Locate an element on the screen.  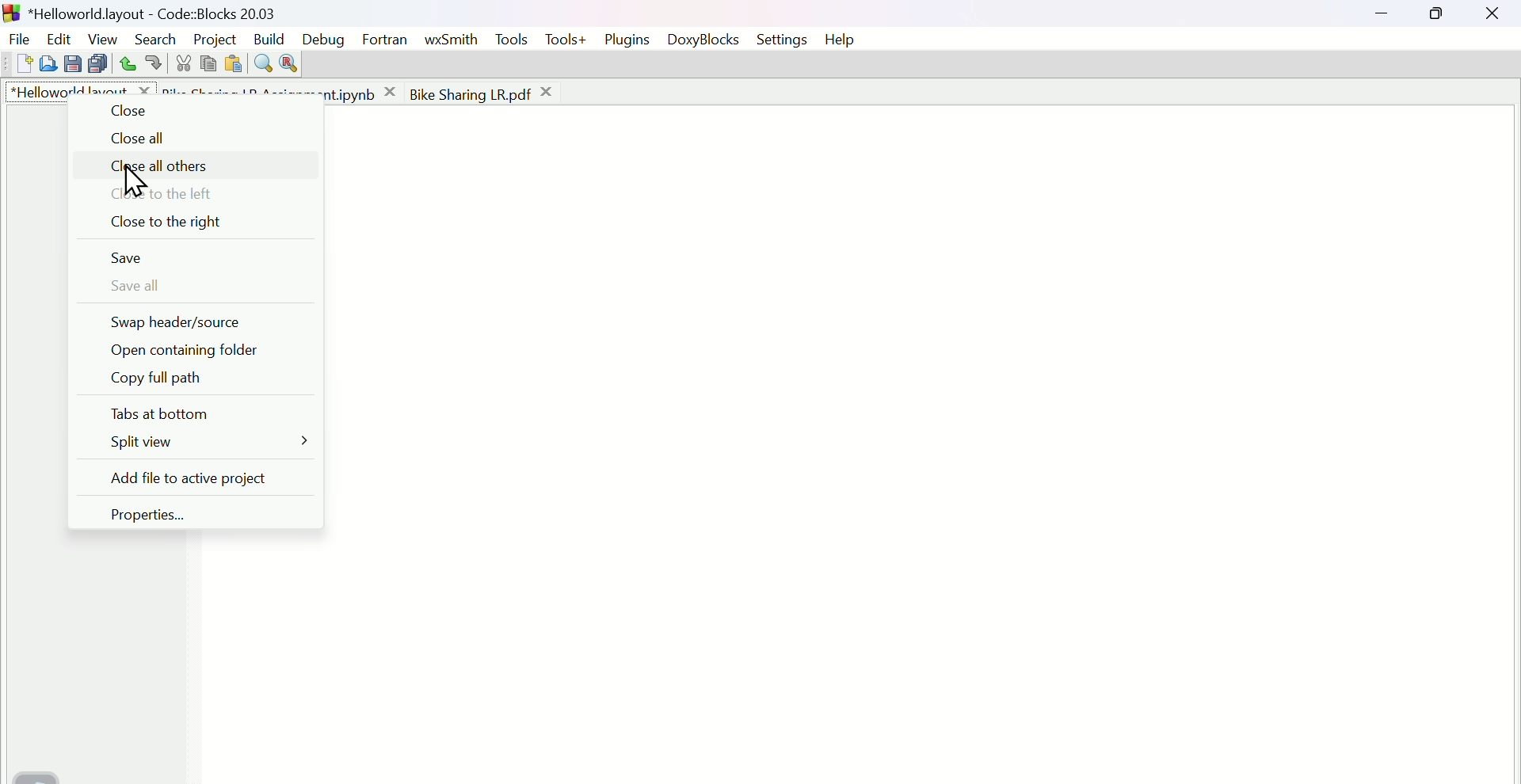
Search in the  file is located at coordinates (47, 62).